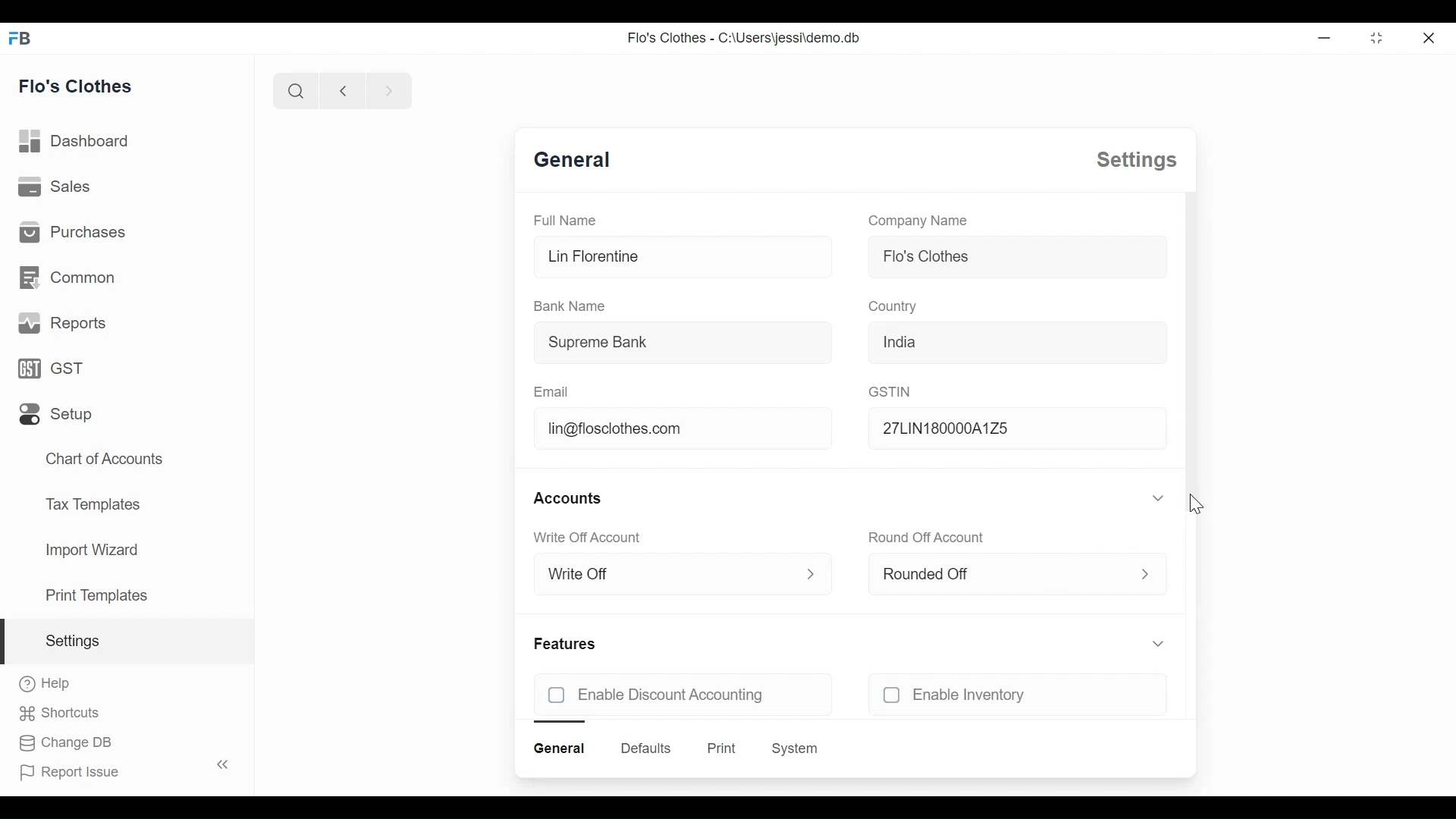 Image resolution: width=1456 pixels, height=819 pixels. What do you see at coordinates (1013, 429) in the screenshot?
I see `27LIN180000A1Z5` at bounding box center [1013, 429].